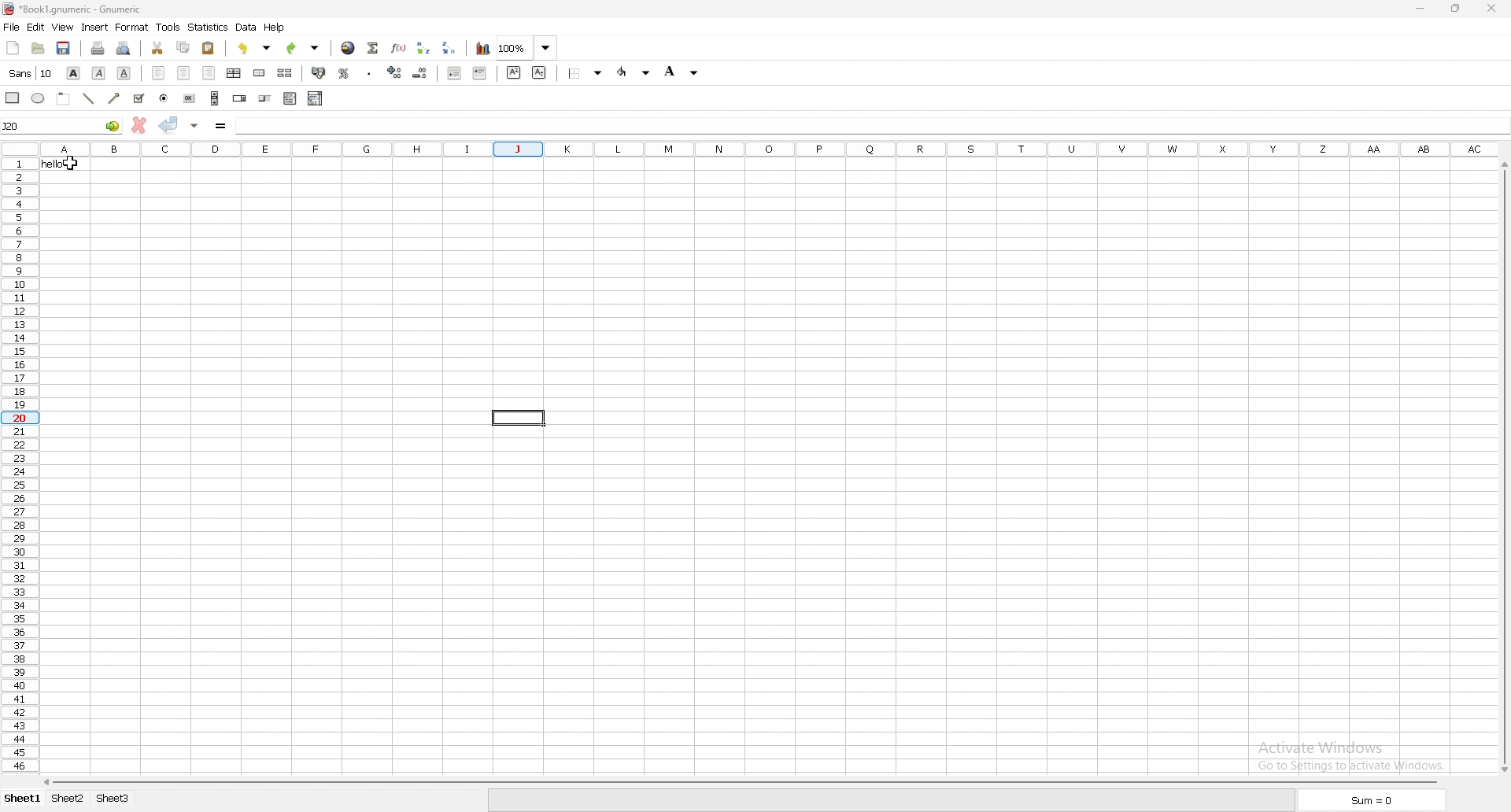 The width and height of the screenshot is (1511, 812). What do you see at coordinates (541, 72) in the screenshot?
I see `subscript` at bounding box center [541, 72].